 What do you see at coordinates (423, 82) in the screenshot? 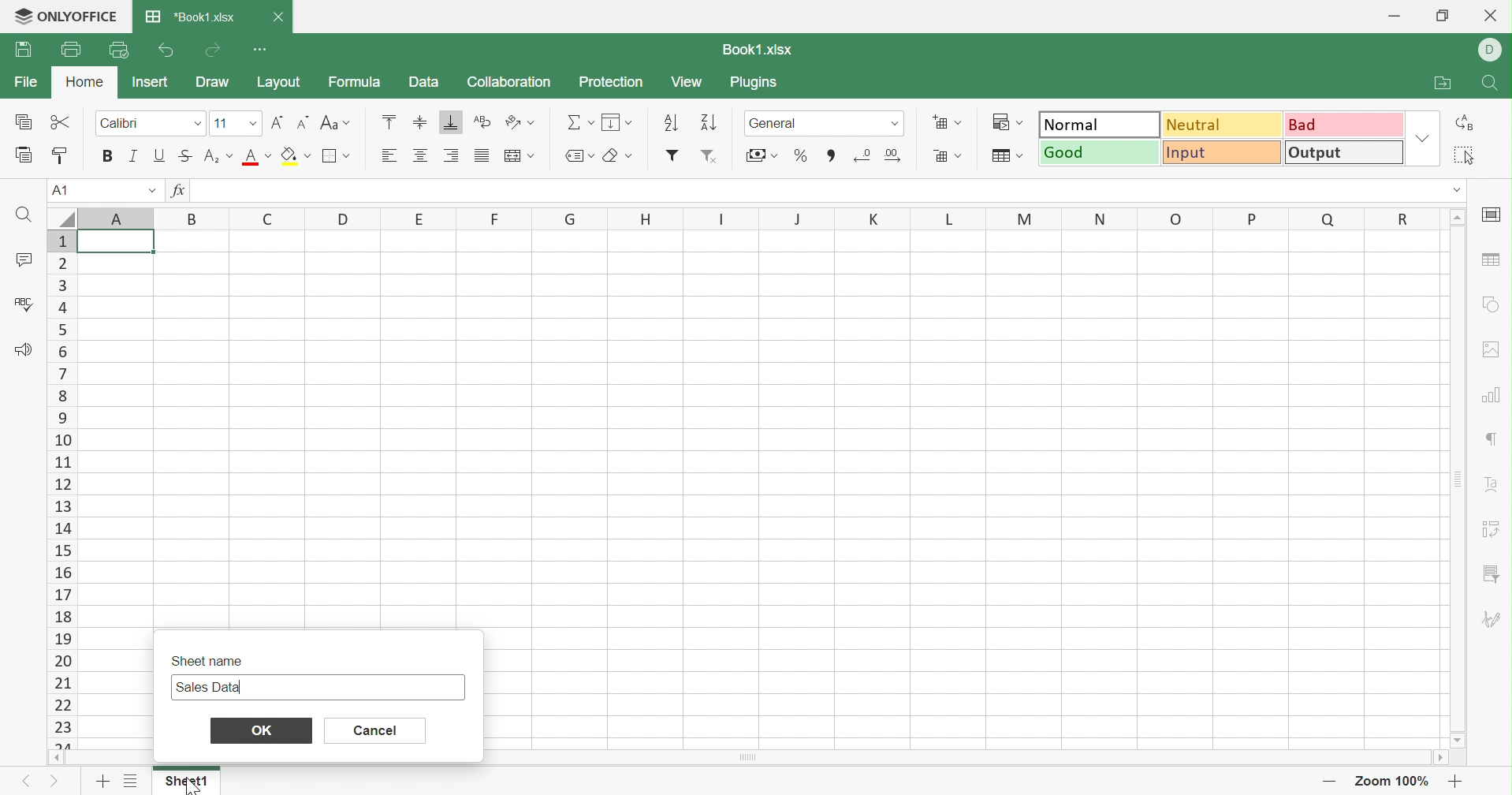
I see `Data` at bounding box center [423, 82].